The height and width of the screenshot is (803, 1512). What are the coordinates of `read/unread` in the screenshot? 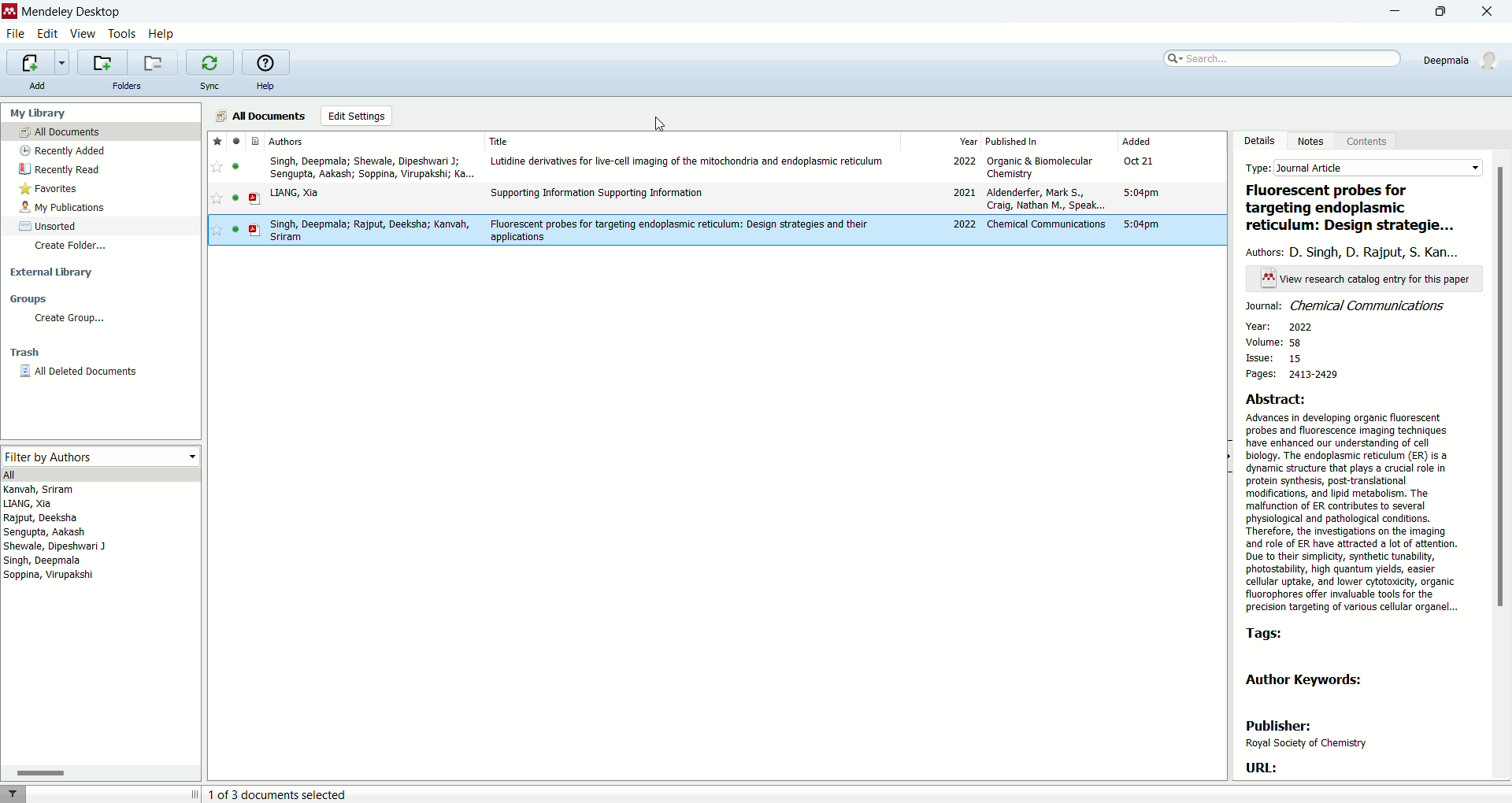 It's located at (235, 200).